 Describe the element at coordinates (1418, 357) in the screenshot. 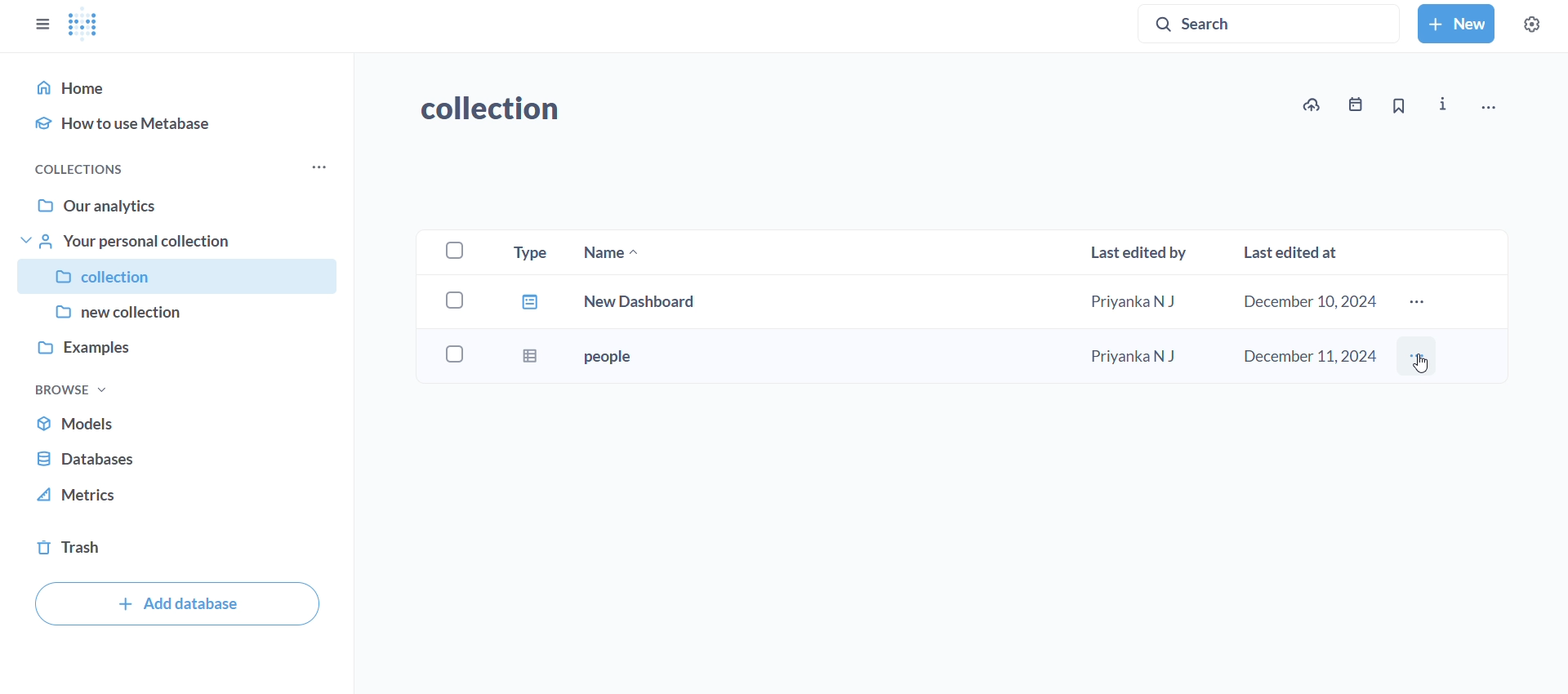

I see `more` at that location.